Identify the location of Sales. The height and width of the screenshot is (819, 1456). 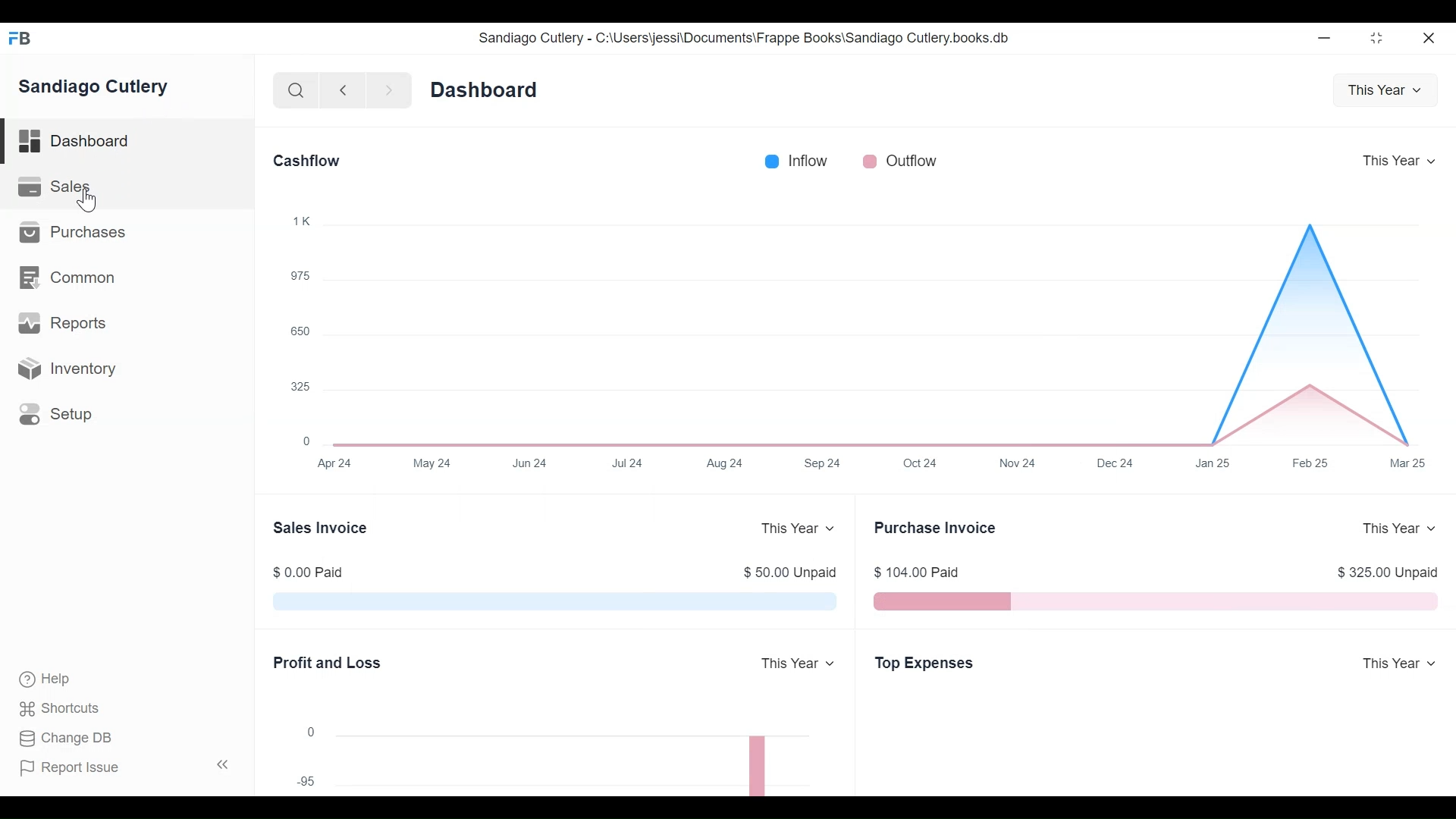
(57, 186).